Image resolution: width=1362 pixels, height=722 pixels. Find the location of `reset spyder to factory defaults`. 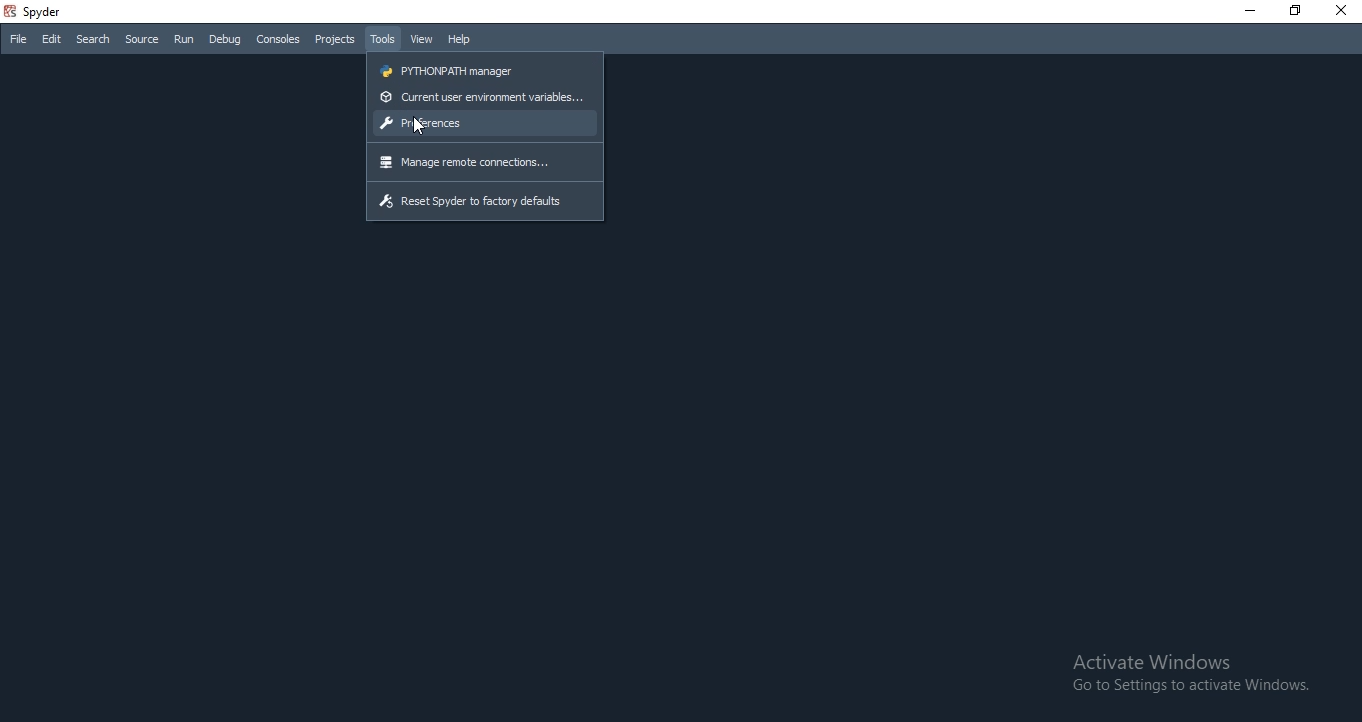

reset spyder to factory defaults is located at coordinates (486, 202).